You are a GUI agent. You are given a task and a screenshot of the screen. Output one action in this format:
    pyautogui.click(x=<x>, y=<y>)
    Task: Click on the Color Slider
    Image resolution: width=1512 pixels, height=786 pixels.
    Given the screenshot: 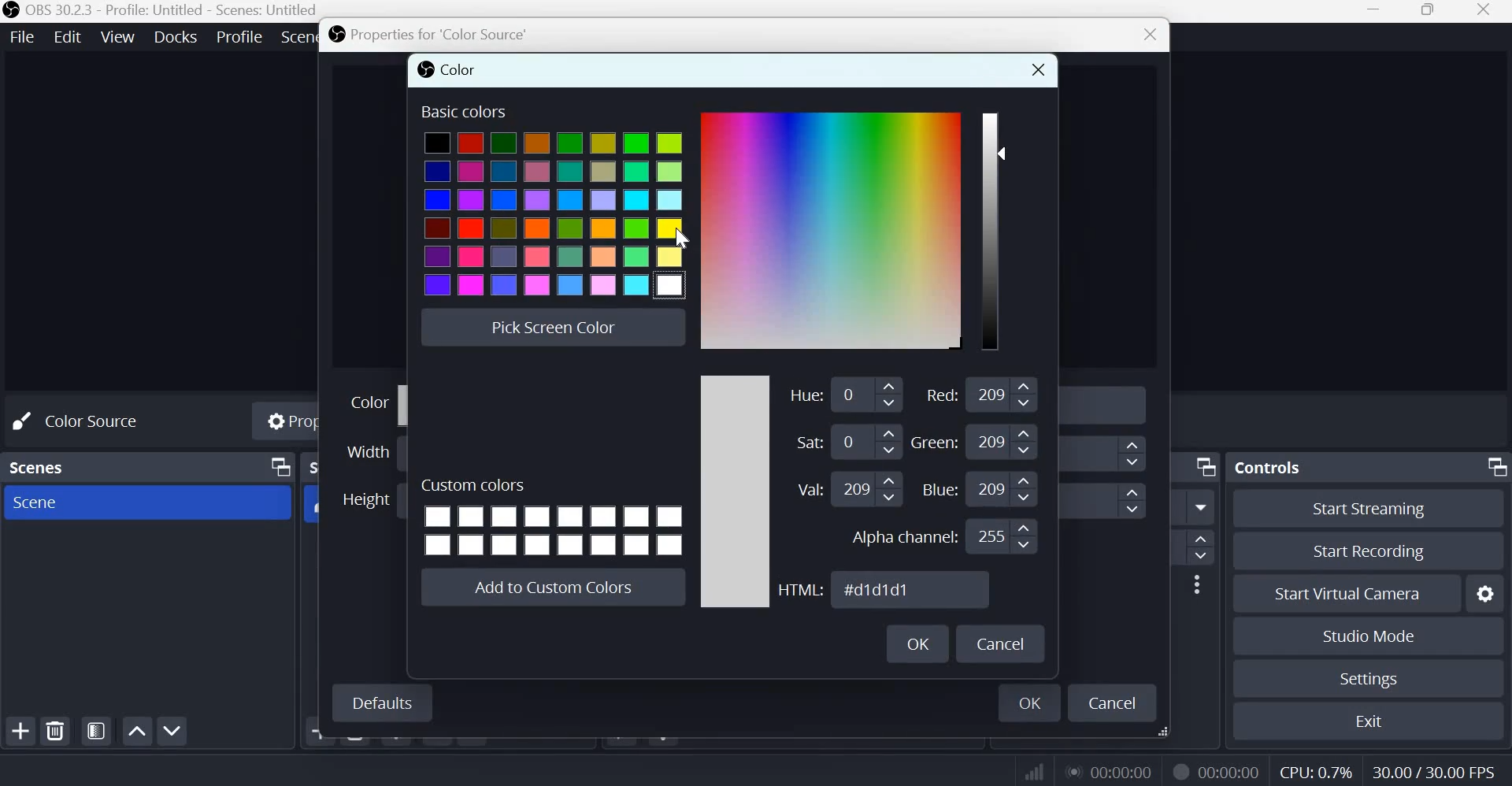 What is the action you would take?
    pyautogui.click(x=1012, y=156)
    